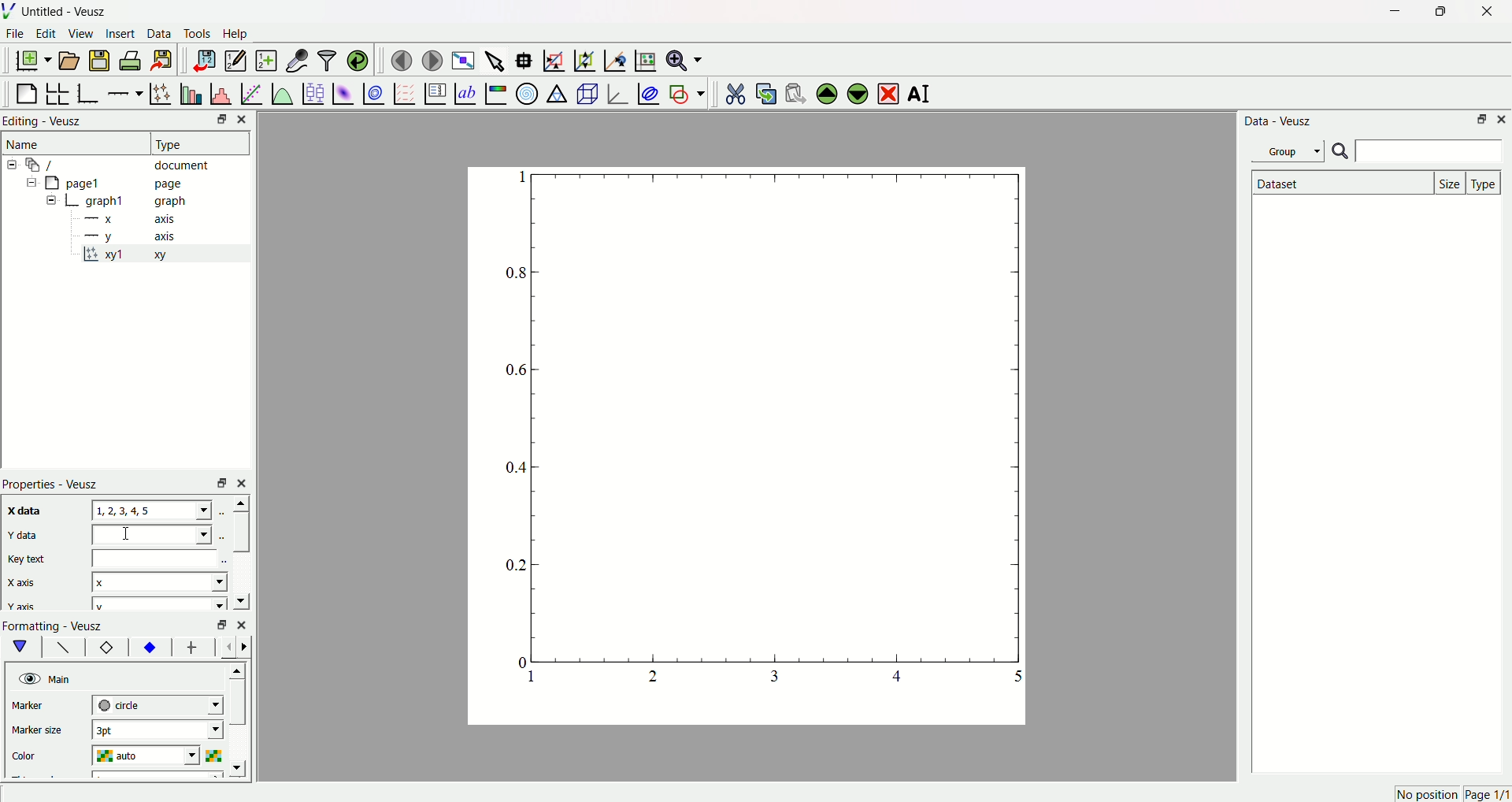 The image size is (1512, 802). What do you see at coordinates (27, 510) in the screenshot?
I see `x data` at bounding box center [27, 510].